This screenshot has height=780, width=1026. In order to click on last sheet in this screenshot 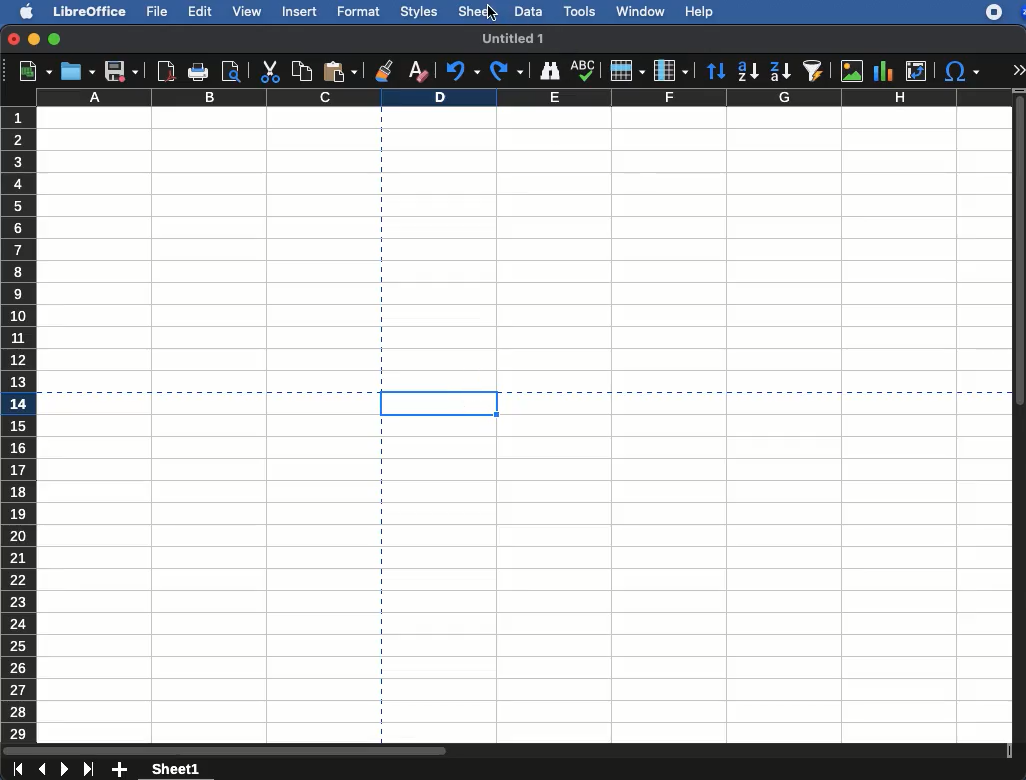, I will do `click(91, 769)`.